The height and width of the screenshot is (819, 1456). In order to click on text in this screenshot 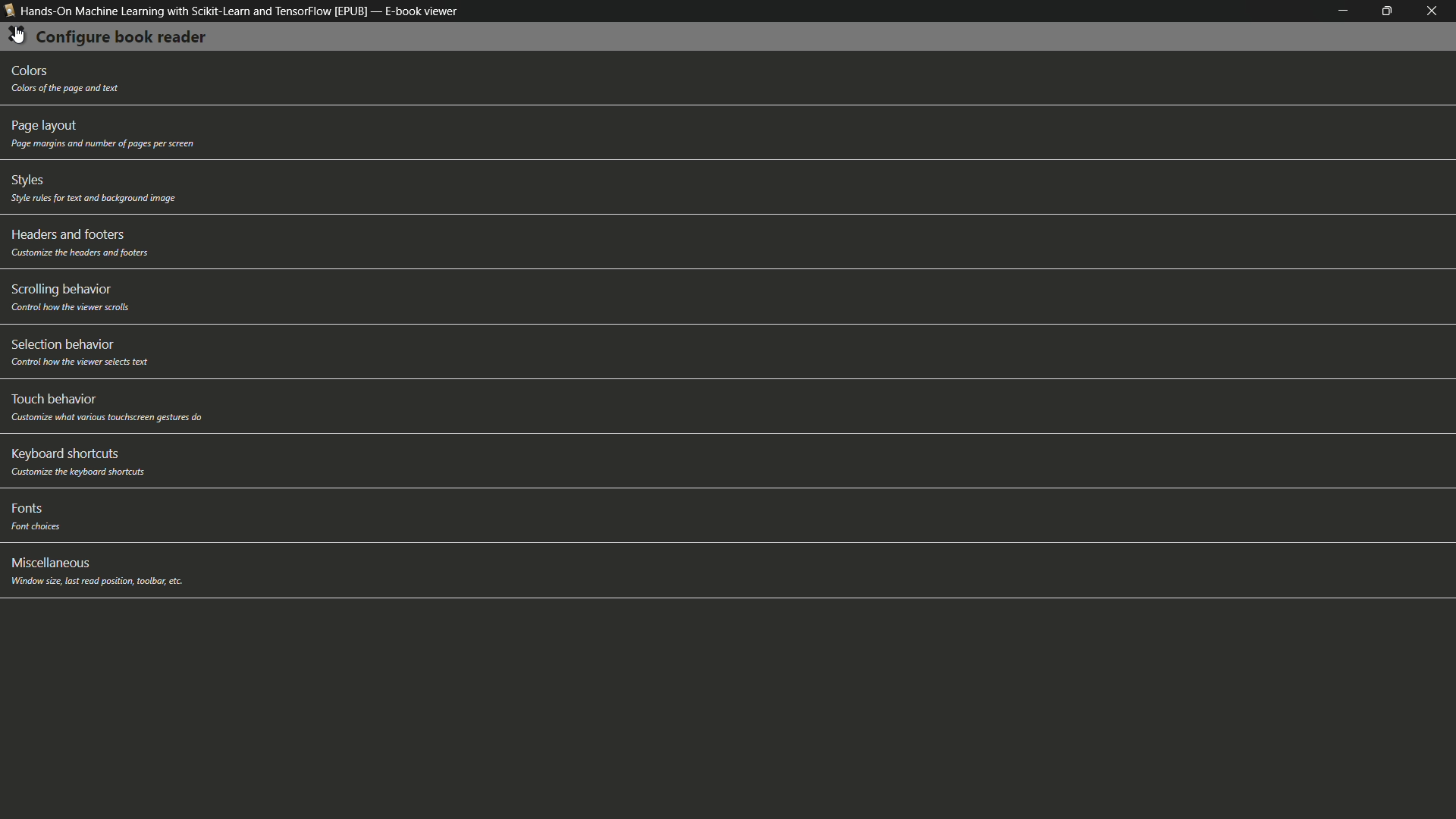, I will do `click(74, 308)`.